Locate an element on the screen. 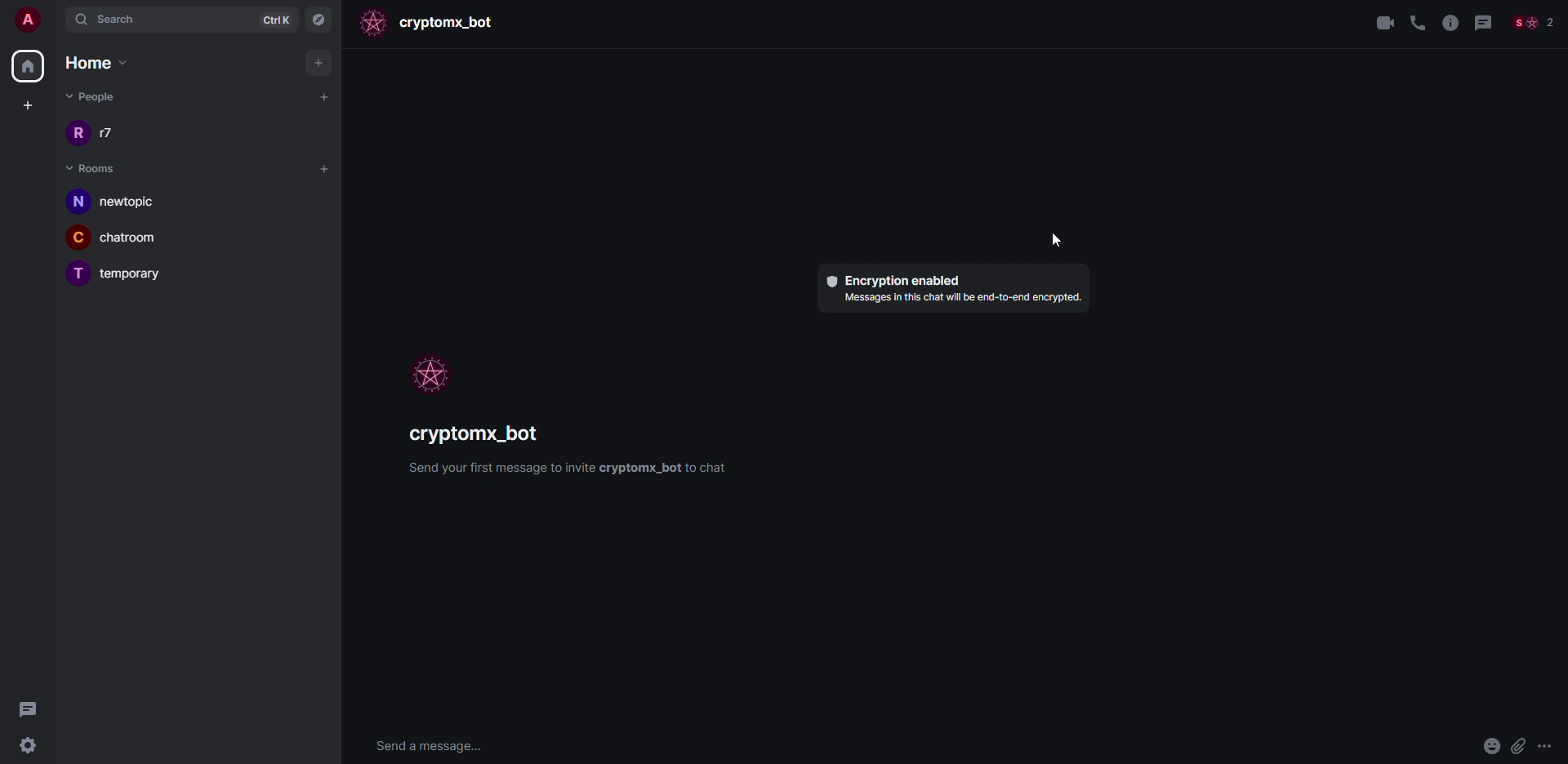  newtopic is located at coordinates (136, 202).